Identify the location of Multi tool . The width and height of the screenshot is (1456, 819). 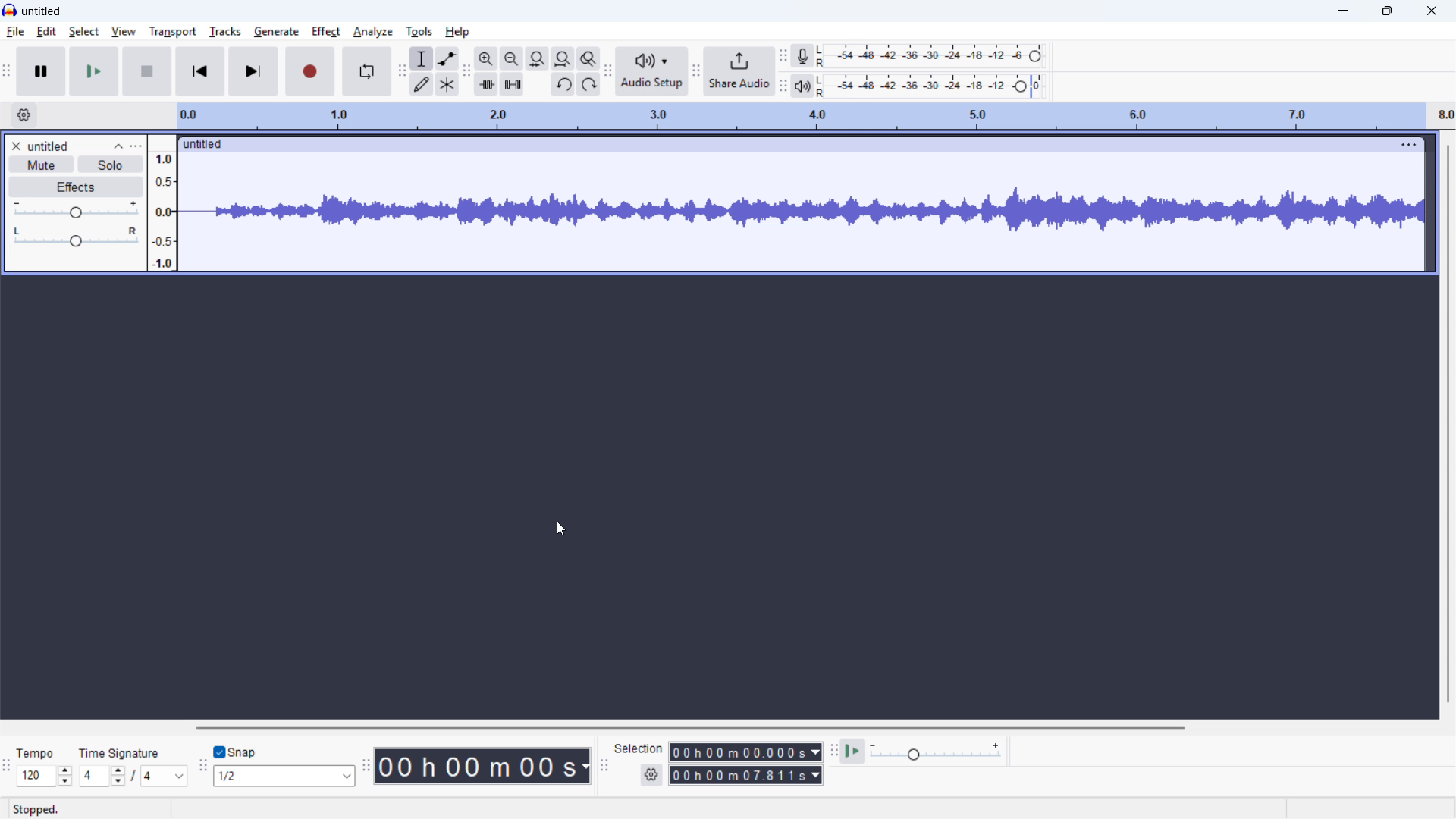
(447, 85).